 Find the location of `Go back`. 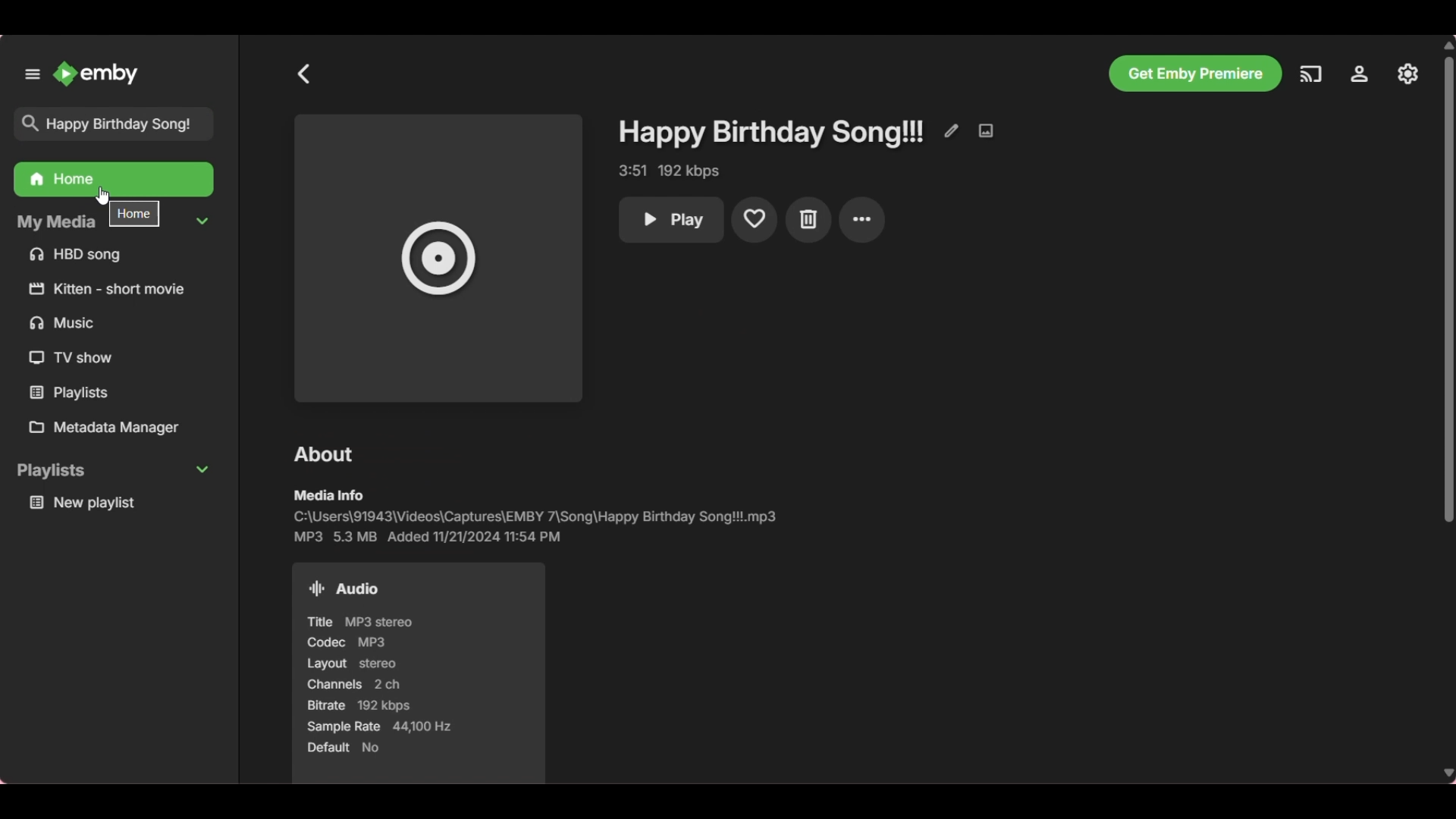

Go back is located at coordinates (303, 74).